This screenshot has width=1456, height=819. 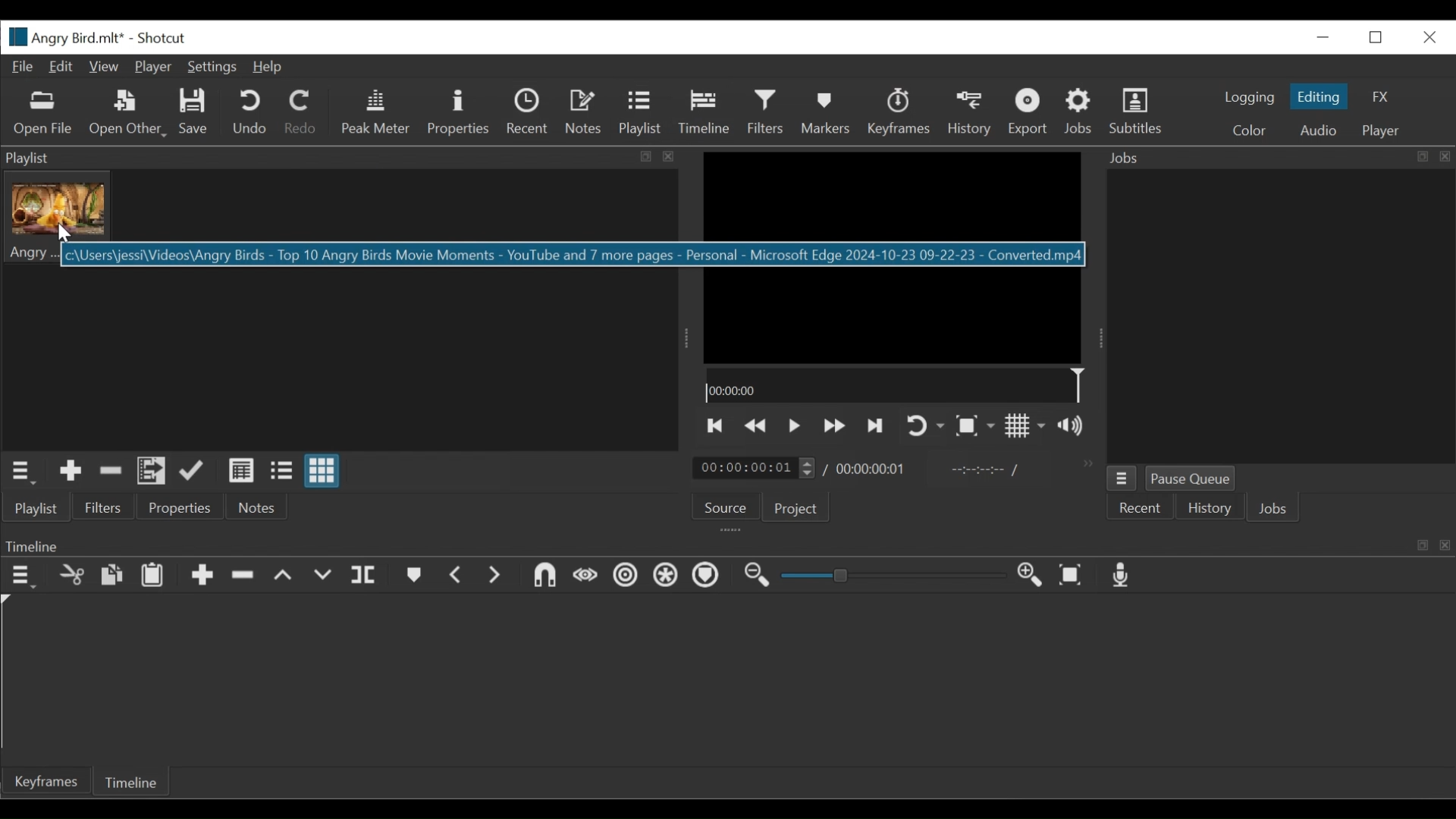 What do you see at coordinates (757, 425) in the screenshot?
I see `play previous quickly` at bounding box center [757, 425].